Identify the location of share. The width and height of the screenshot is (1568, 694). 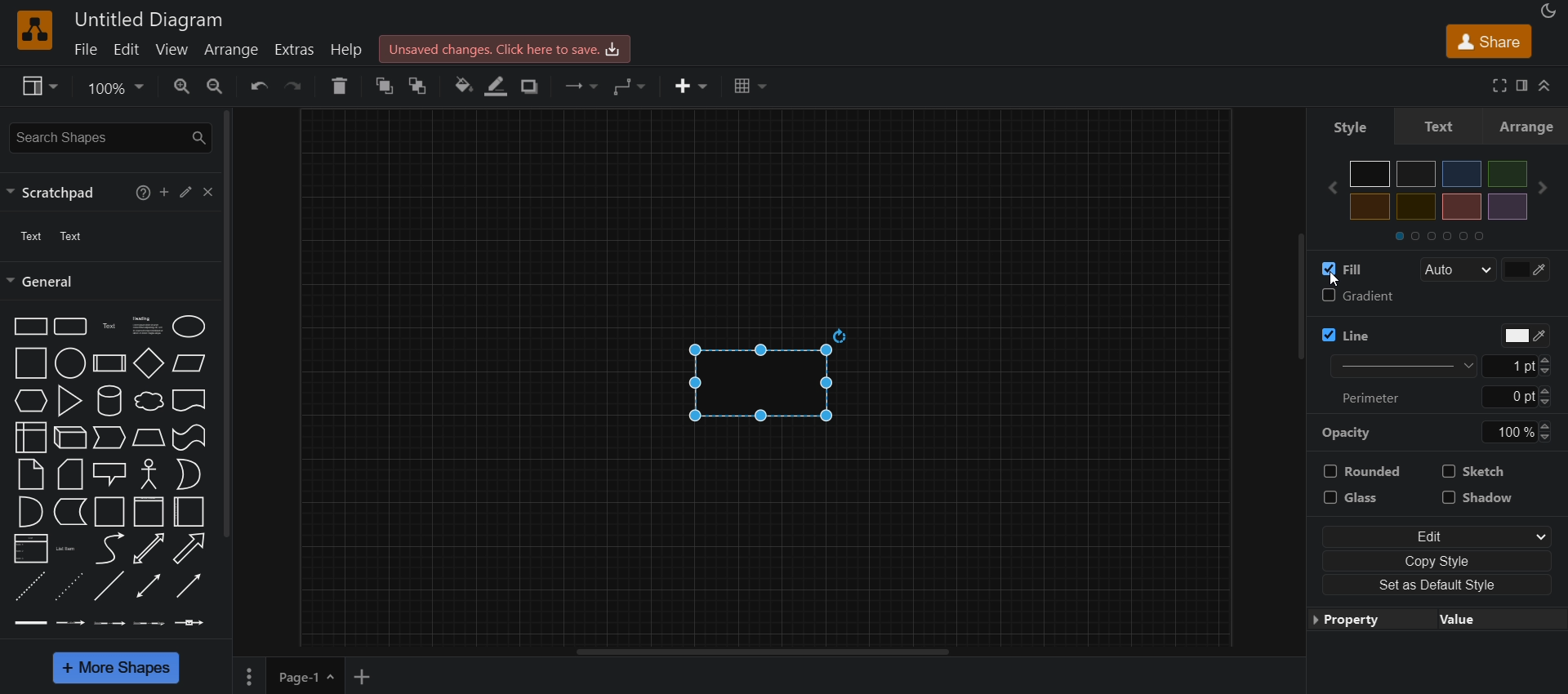
(1487, 39).